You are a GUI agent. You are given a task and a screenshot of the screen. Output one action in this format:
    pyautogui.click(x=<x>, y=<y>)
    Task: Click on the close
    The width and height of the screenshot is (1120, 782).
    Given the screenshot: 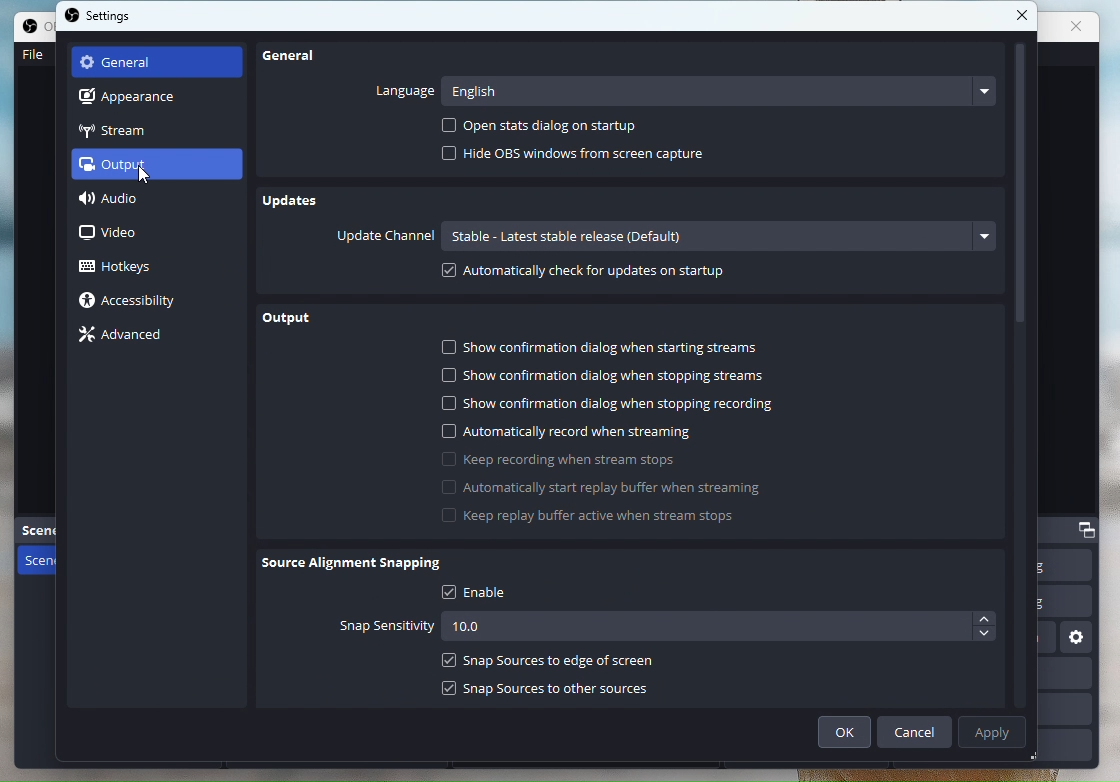 What is the action you would take?
    pyautogui.click(x=1082, y=27)
    